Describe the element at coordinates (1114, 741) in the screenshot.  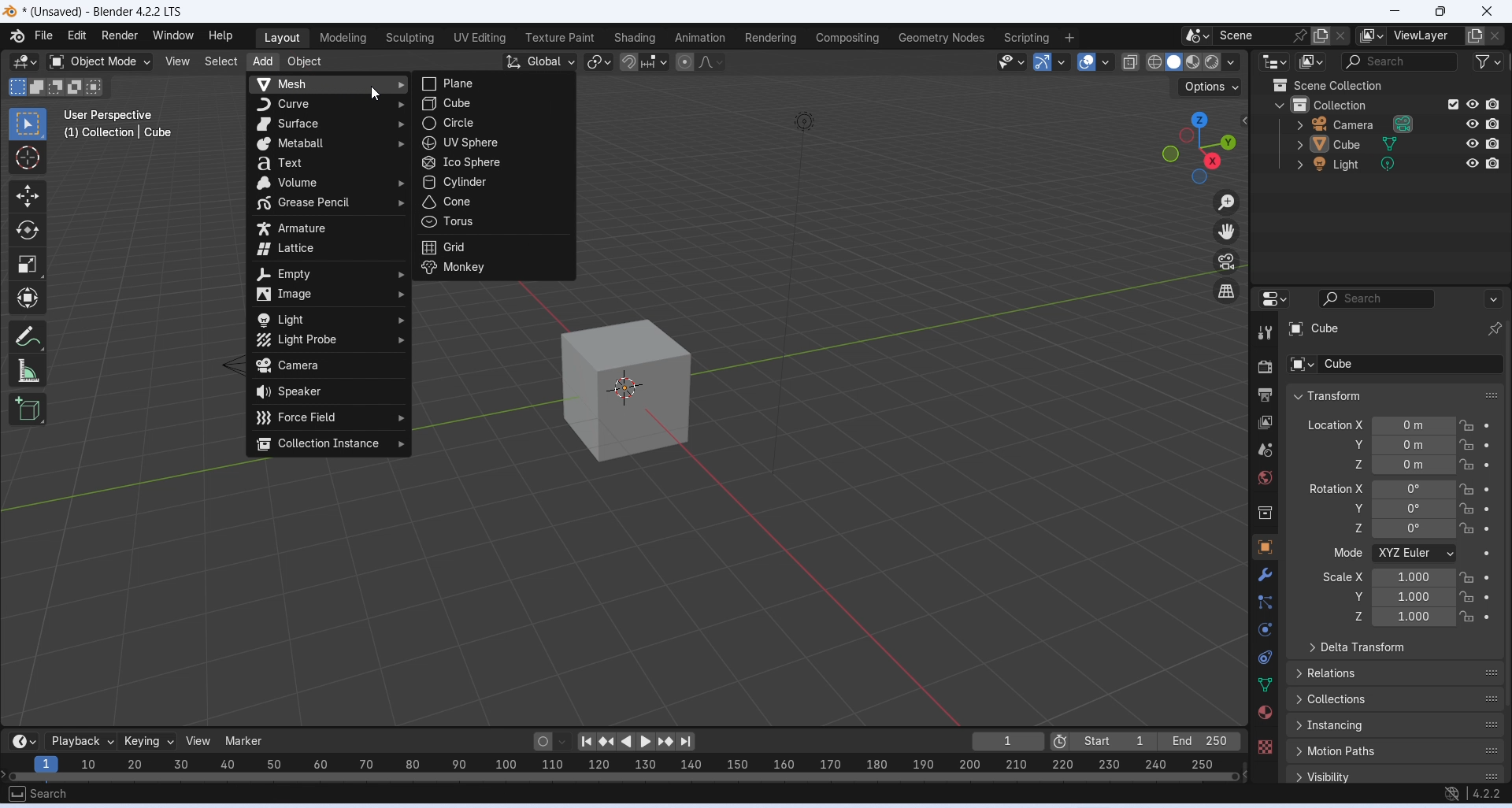
I see `Start 1` at that location.